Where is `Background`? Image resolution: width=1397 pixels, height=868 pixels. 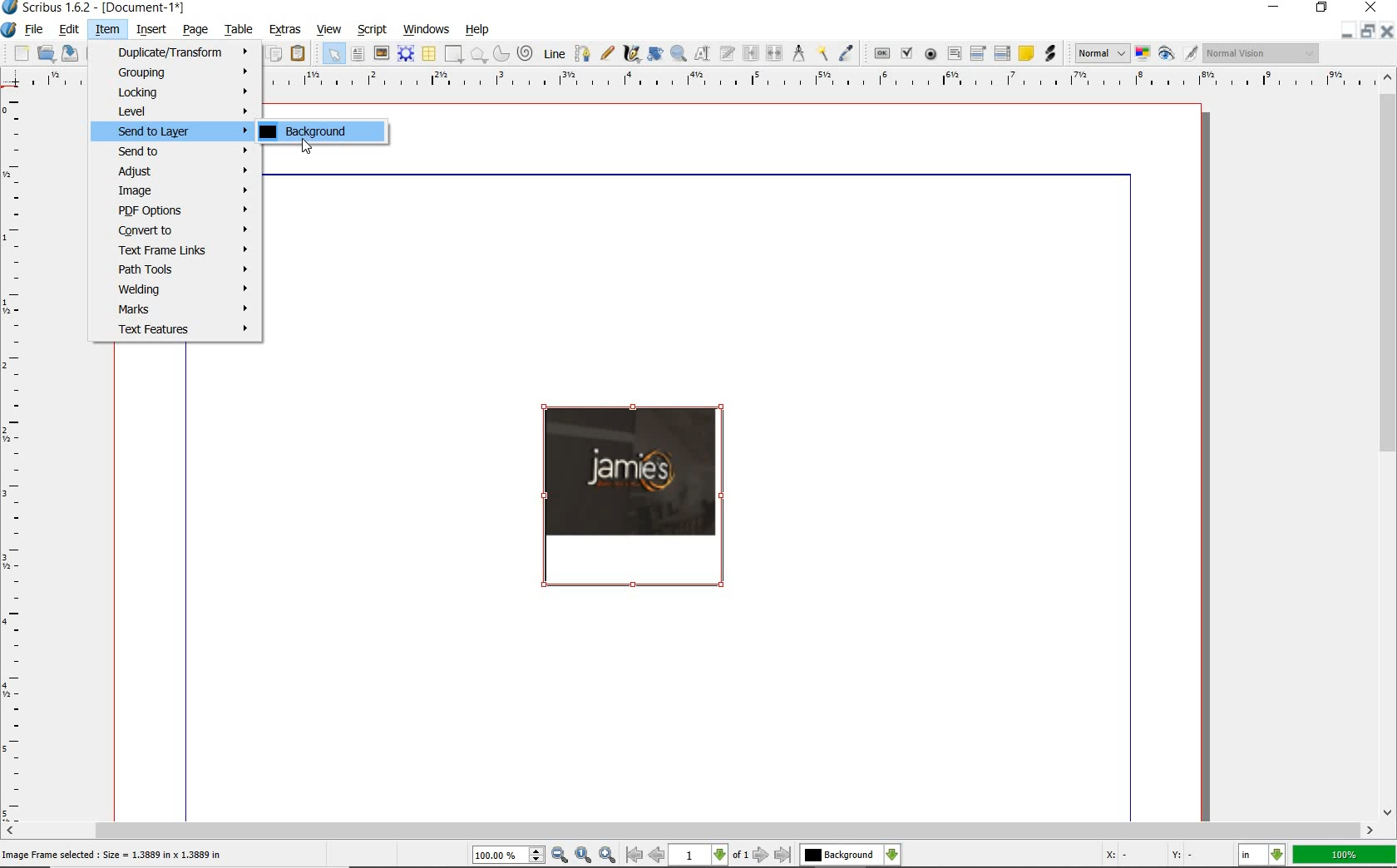 Background is located at coordinates (322, 131).